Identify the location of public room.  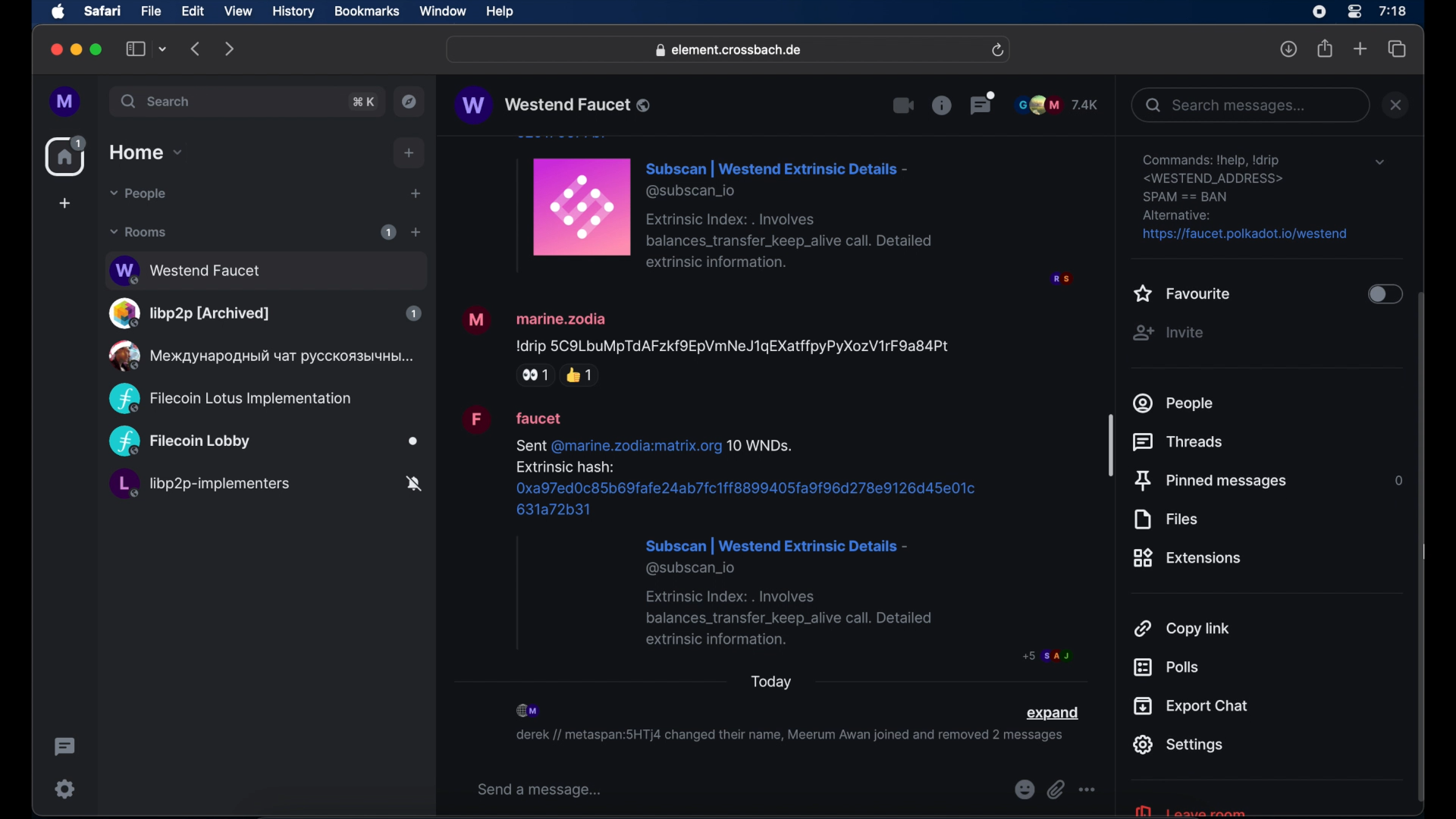
(264, 442).